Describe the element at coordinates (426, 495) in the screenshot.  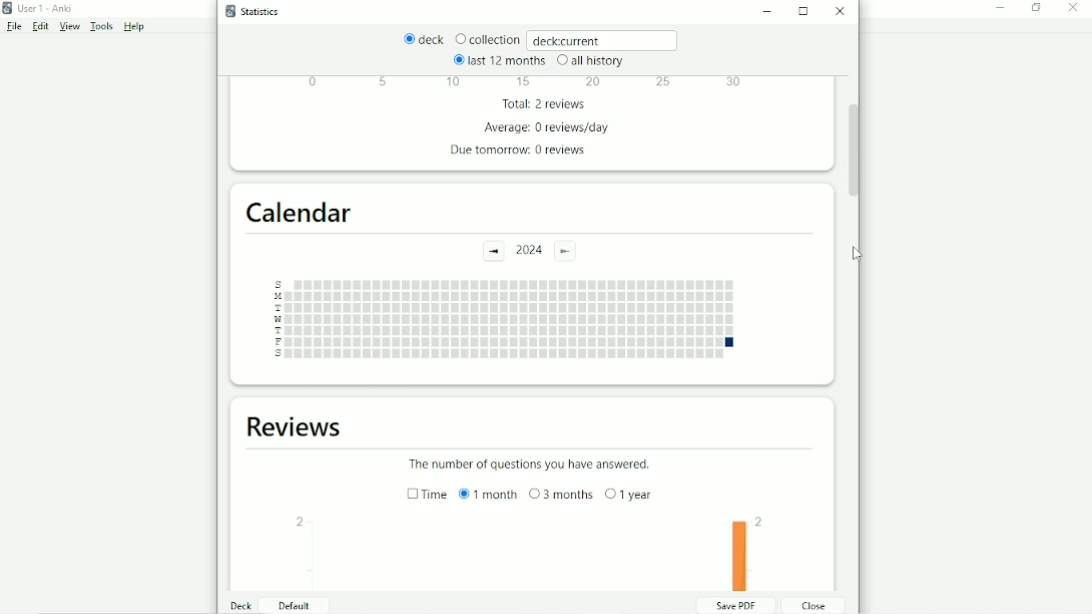
I see `Time` at that location.